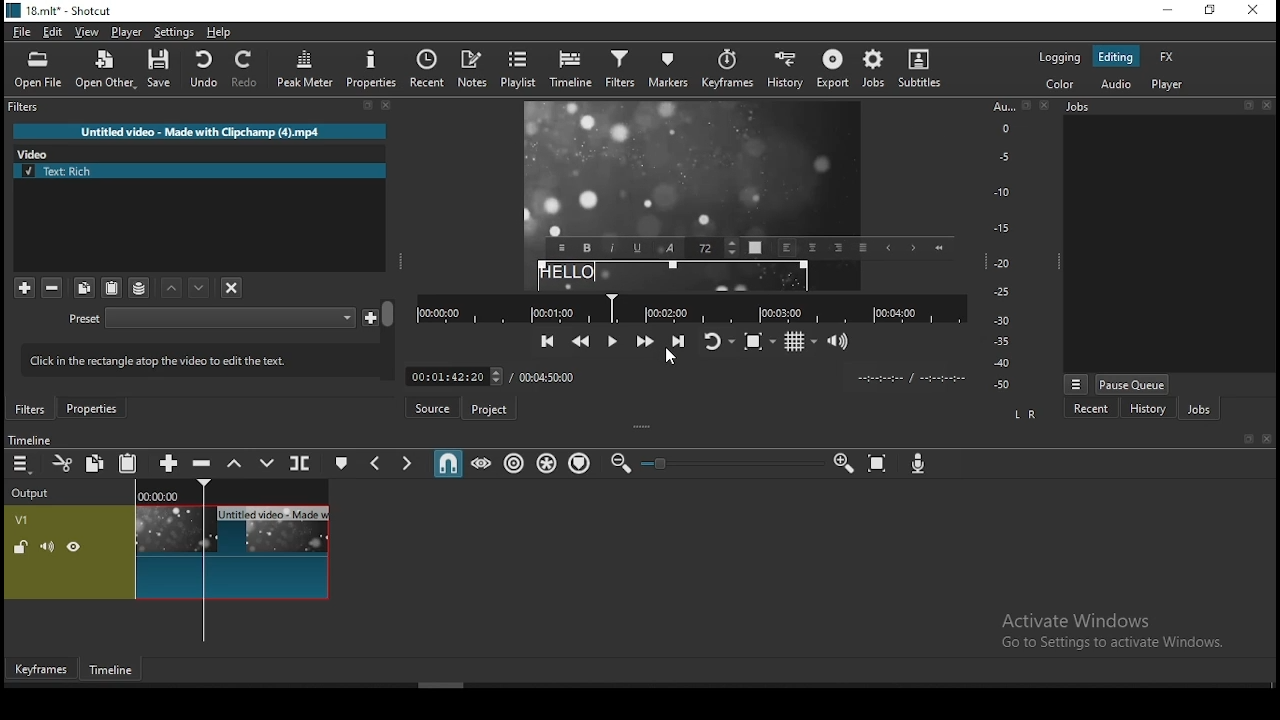  What do you see at coordinates (201, 171) in the screenshot?
I see `text rich` at bounding box center [201, 171].